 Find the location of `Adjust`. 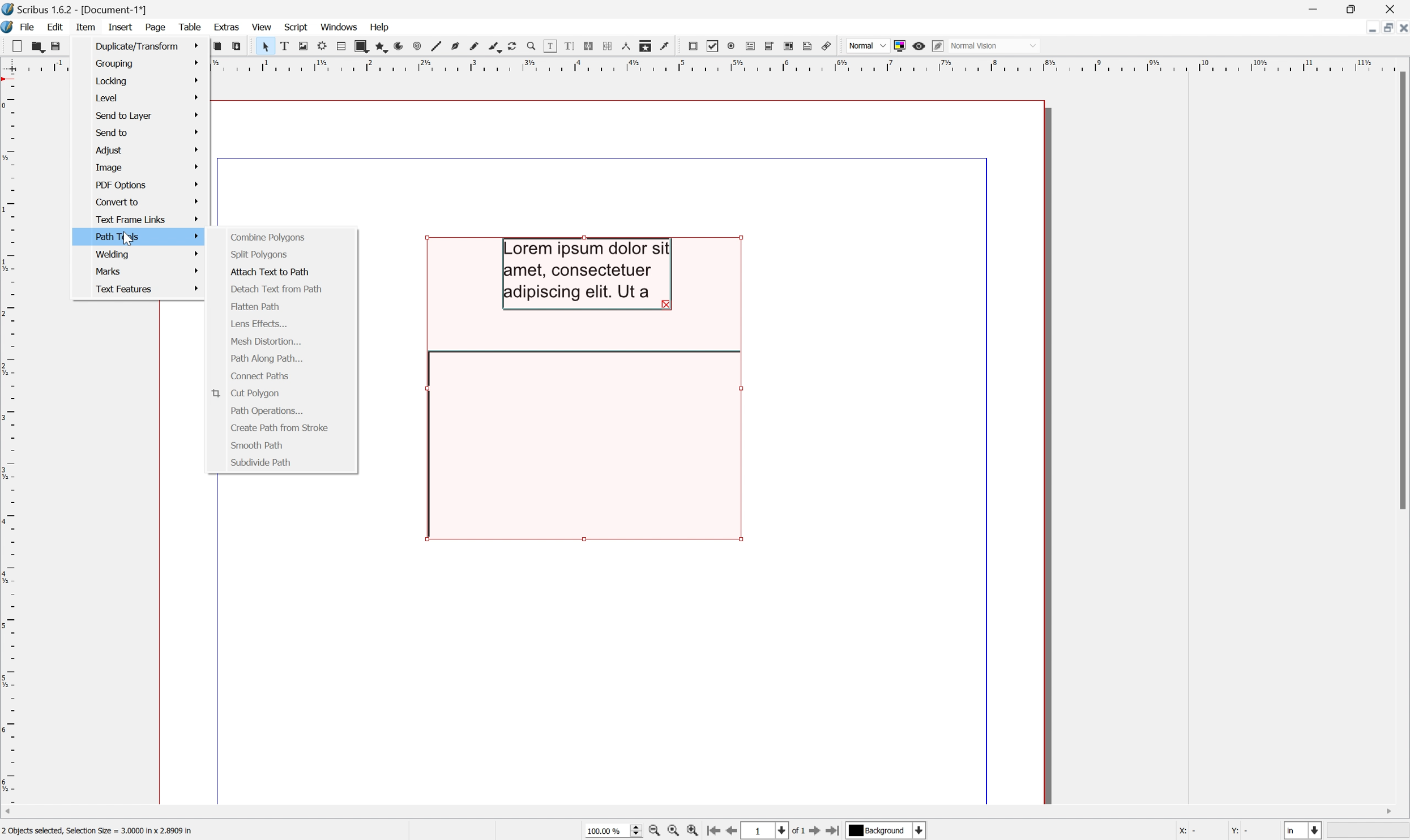

Adjust is located at coordinates (147, 150).